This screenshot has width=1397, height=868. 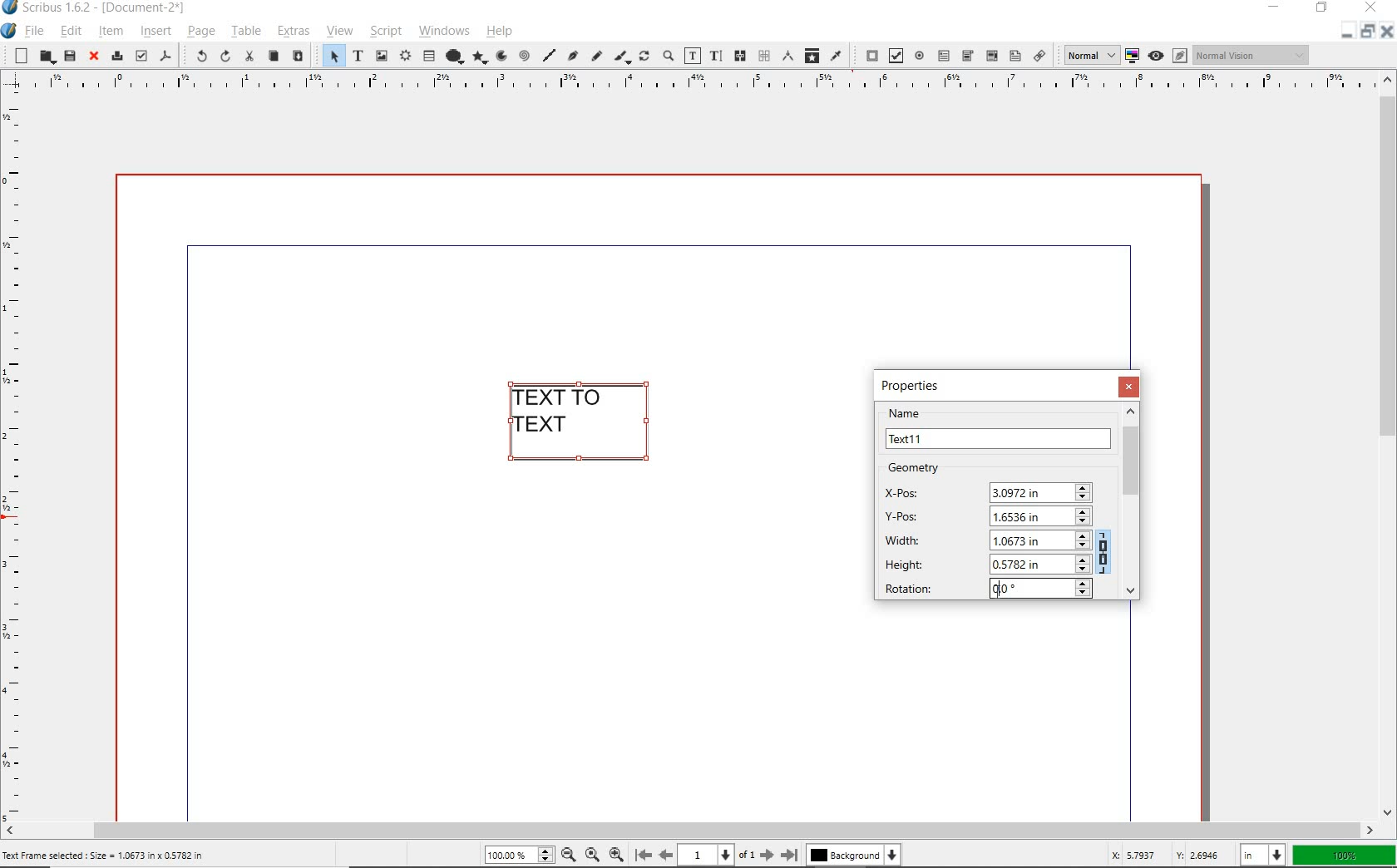 I want to click on KEEP THE ASPECT RATIO, so click(x=1106, y=550).